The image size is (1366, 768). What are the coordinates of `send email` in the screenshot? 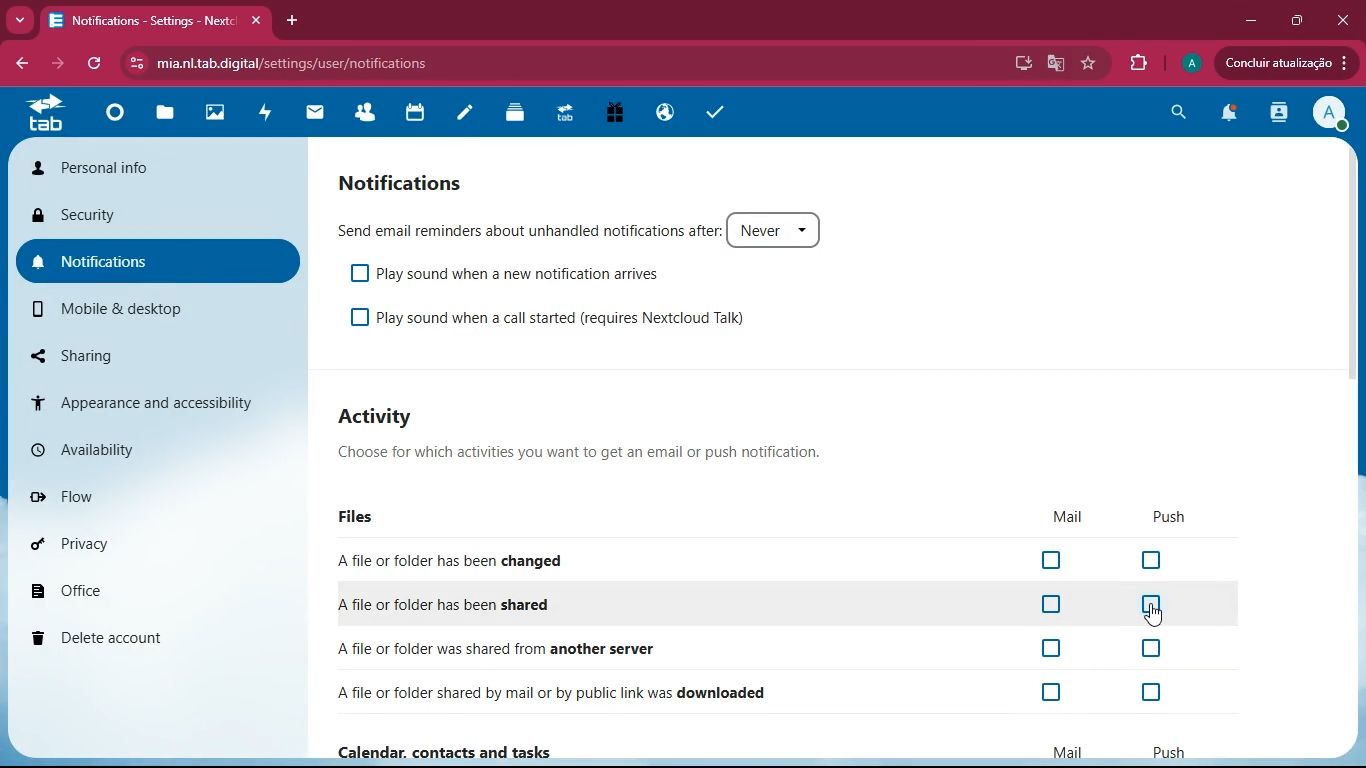 It's located at (525, 231).